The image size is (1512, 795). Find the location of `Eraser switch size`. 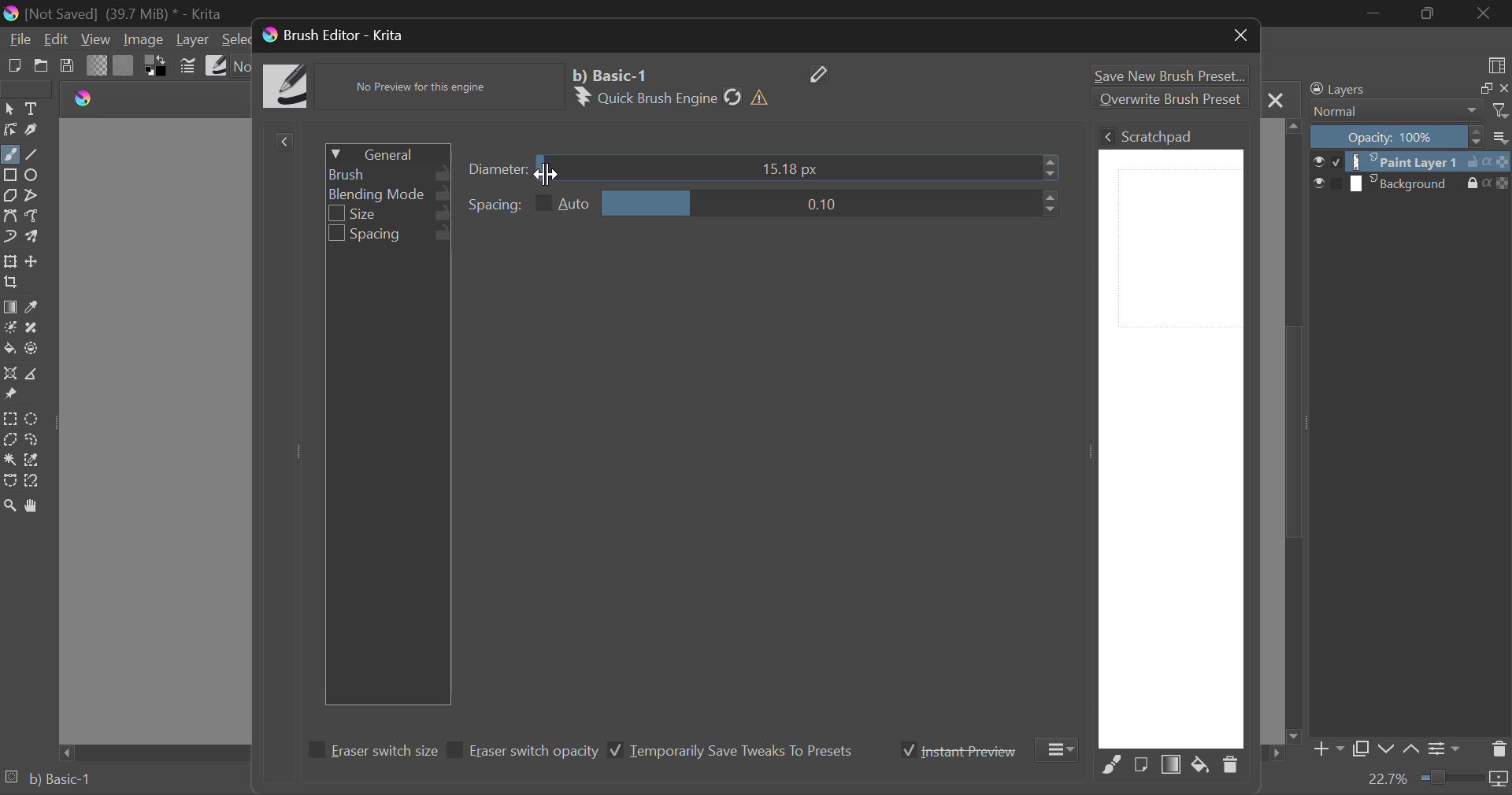

Eraser switch size is located at coordinates (370, 752).